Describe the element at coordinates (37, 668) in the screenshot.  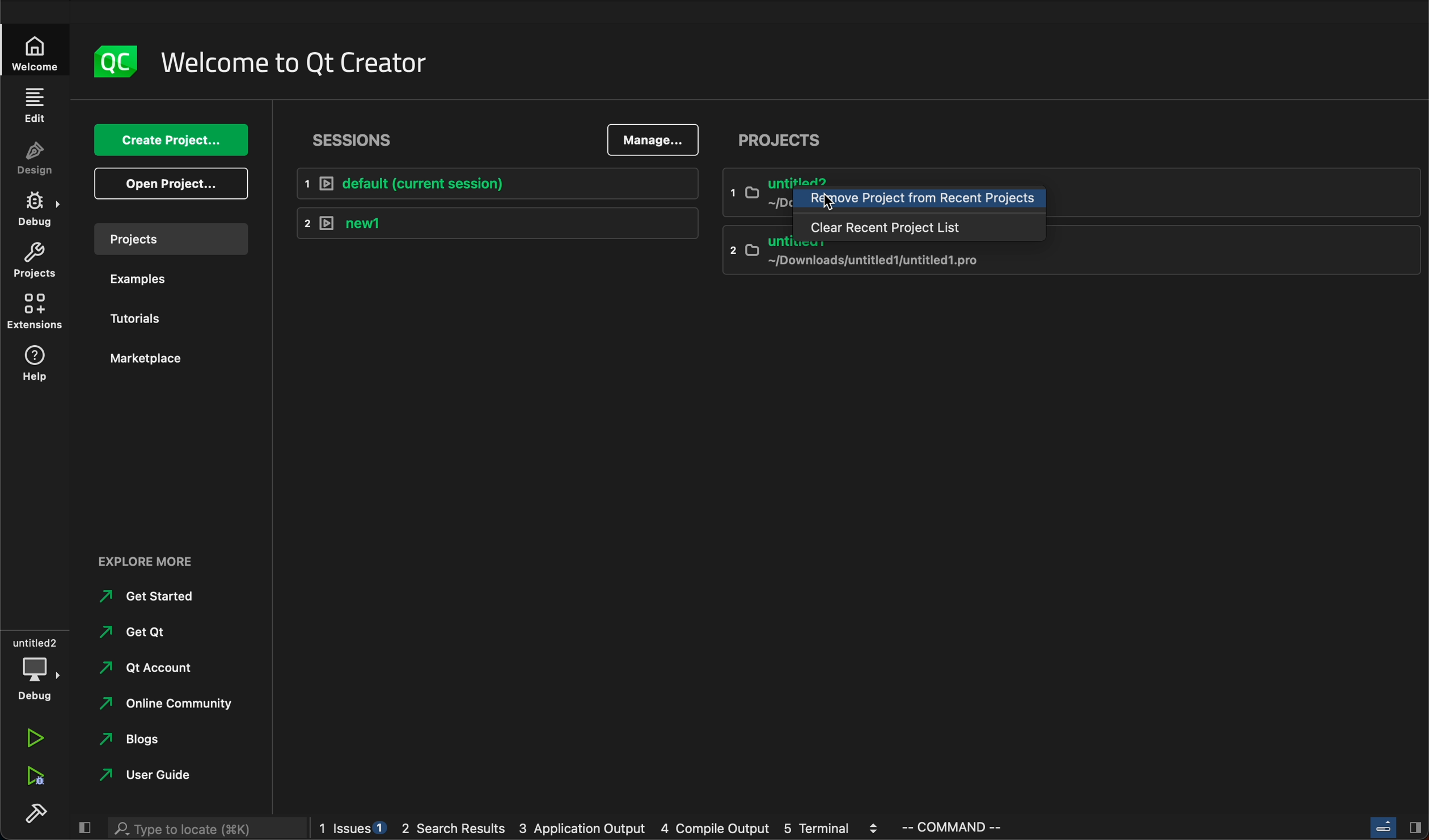
I see `debug` at that location.